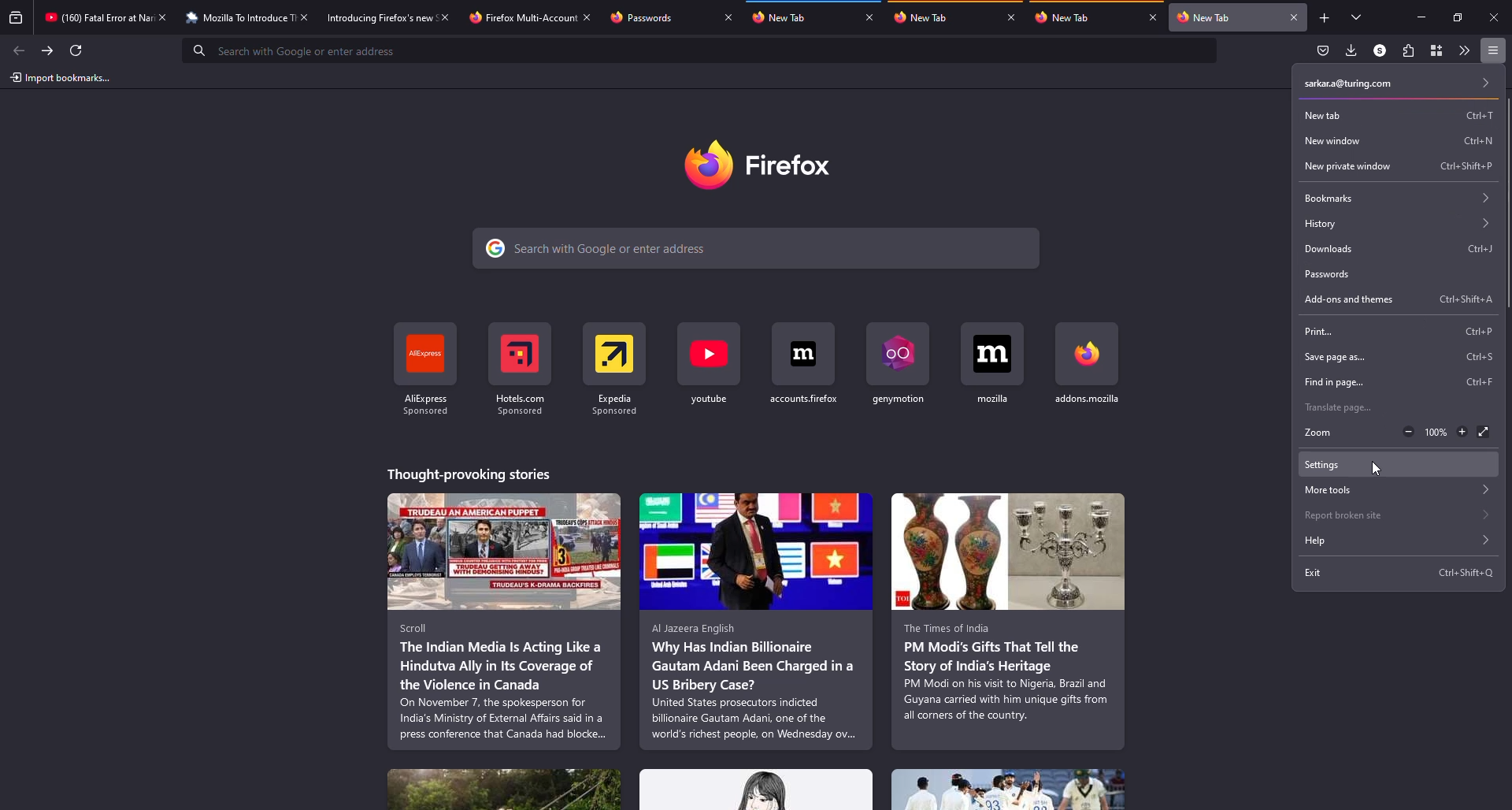 Image resolution: width=1512 pixels, height=810 pixels. I want to click on tab, so click(926, 17).